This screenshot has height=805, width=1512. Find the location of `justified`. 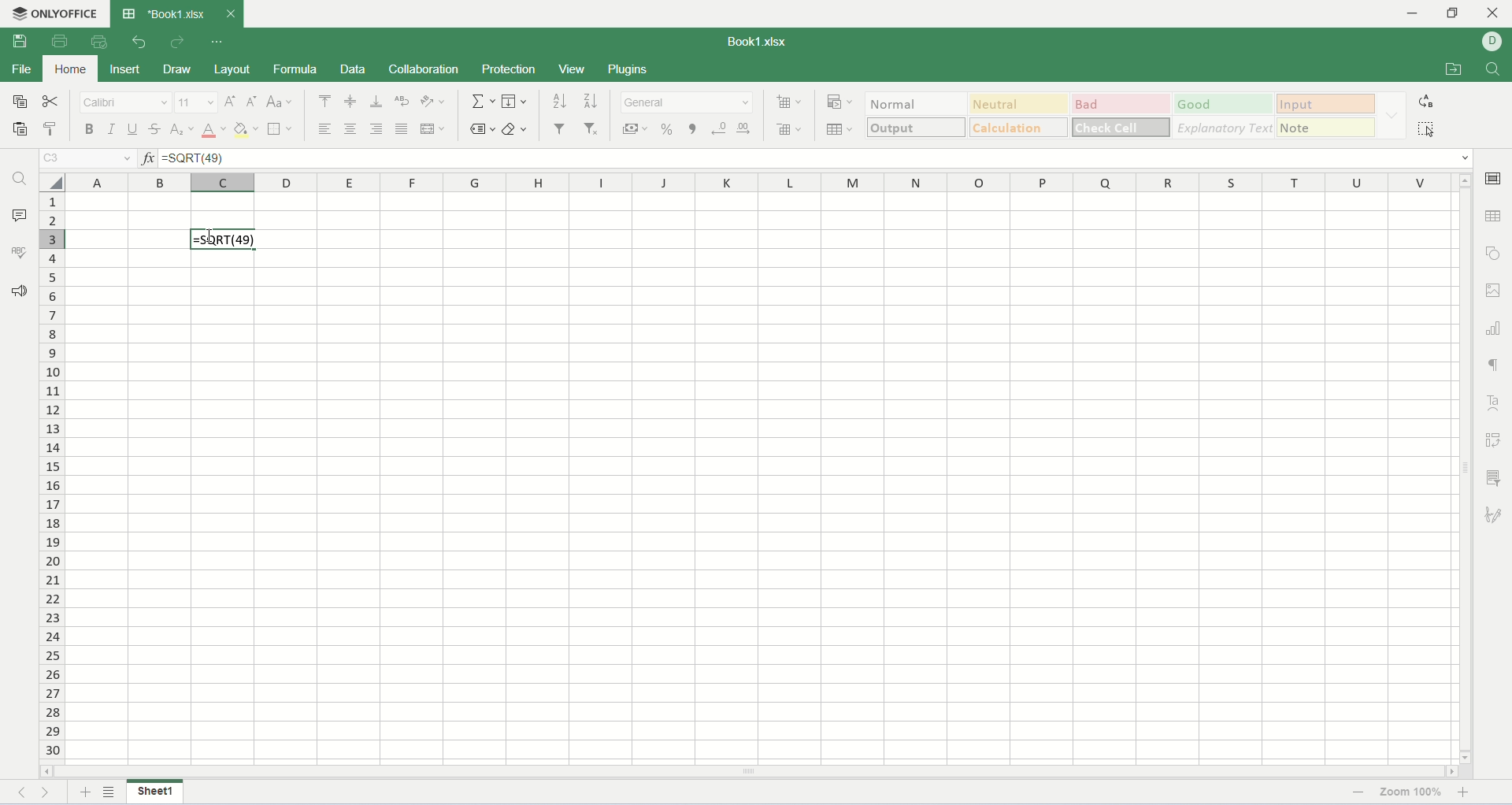

justified is located at coordinates (402, 129).